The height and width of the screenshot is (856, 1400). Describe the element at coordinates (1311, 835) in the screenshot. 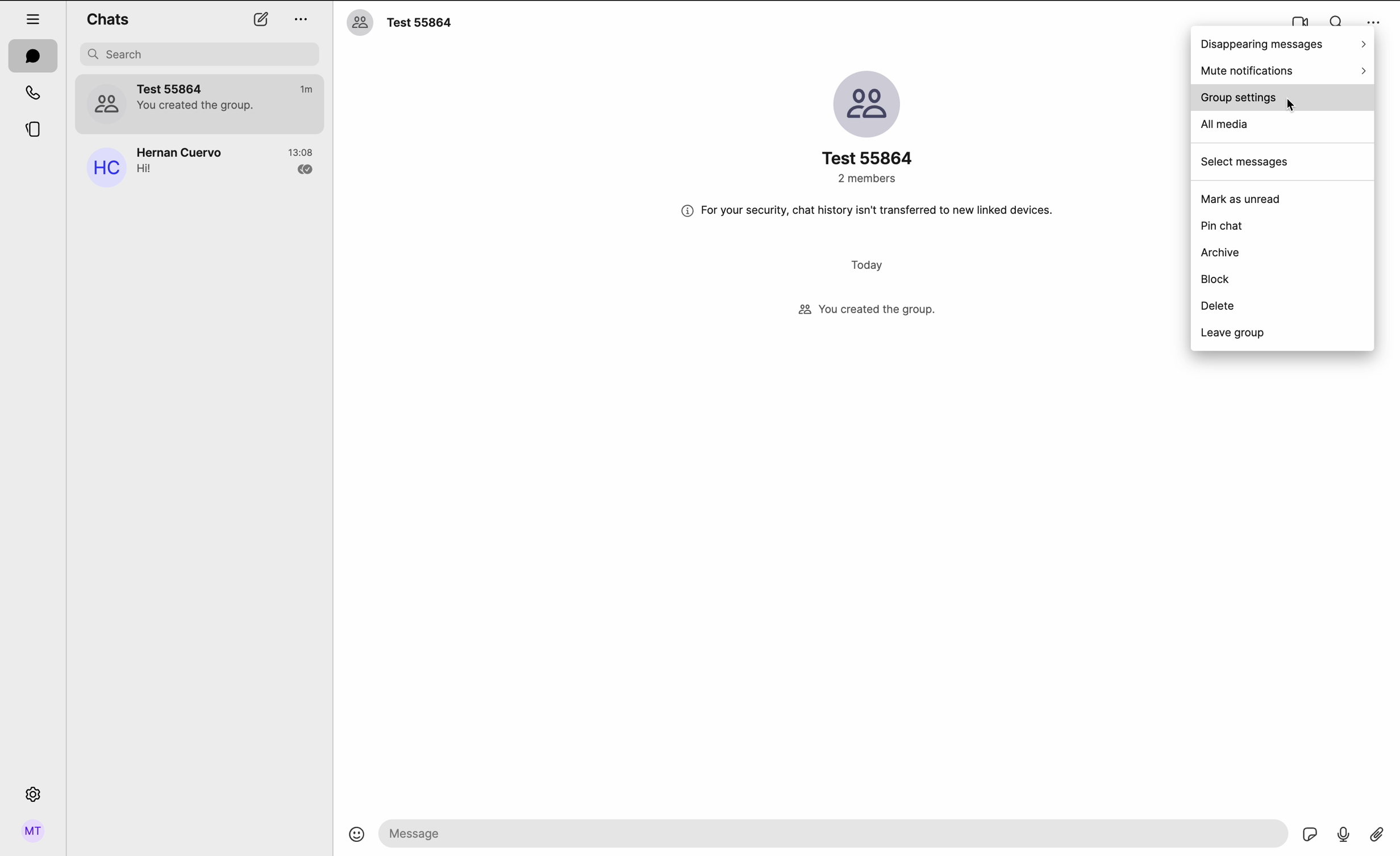

I see `sticker` at that location.